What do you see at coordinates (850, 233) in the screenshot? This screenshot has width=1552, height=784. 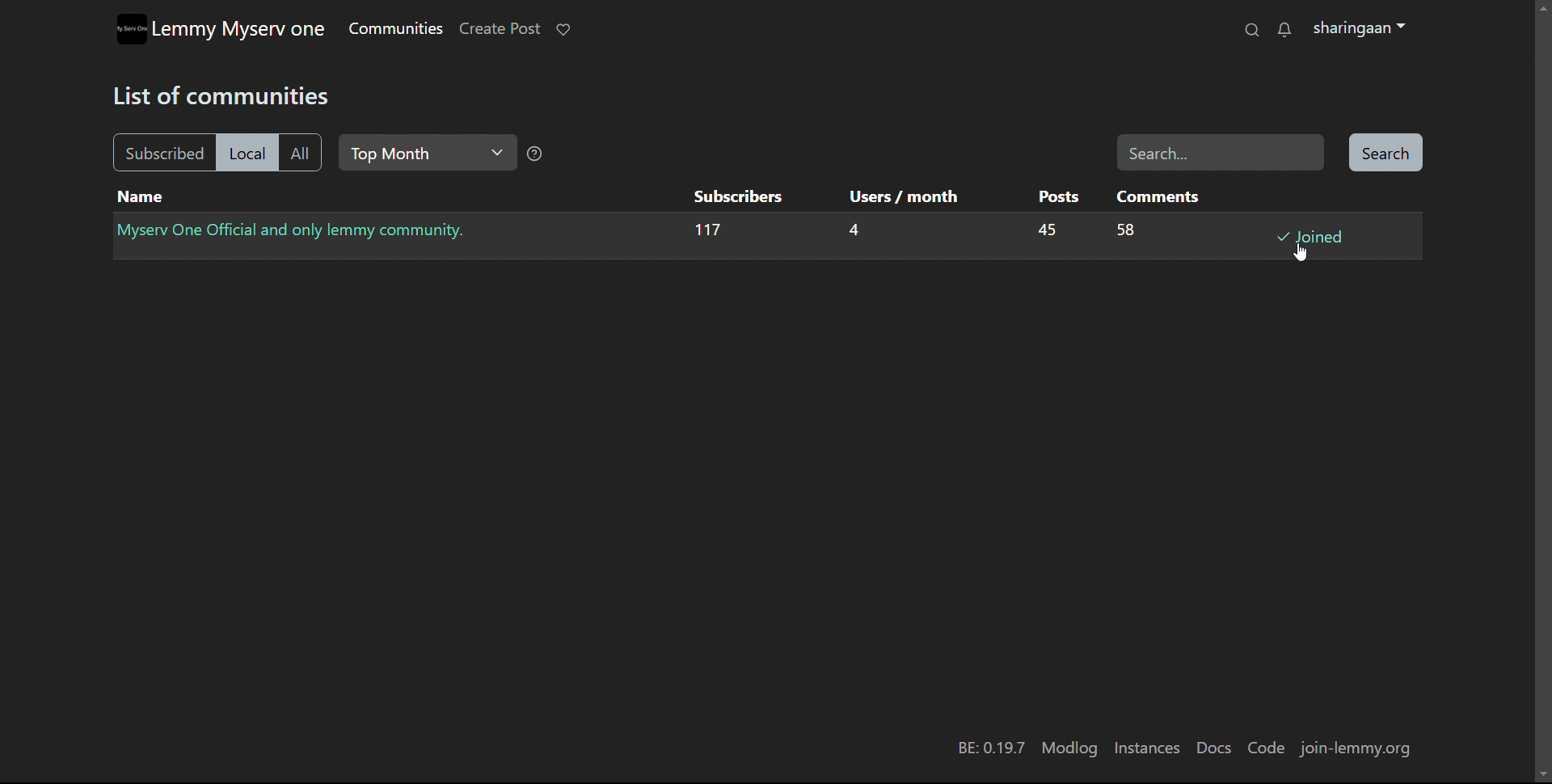 I see `4` at bounding box center [850, 233].